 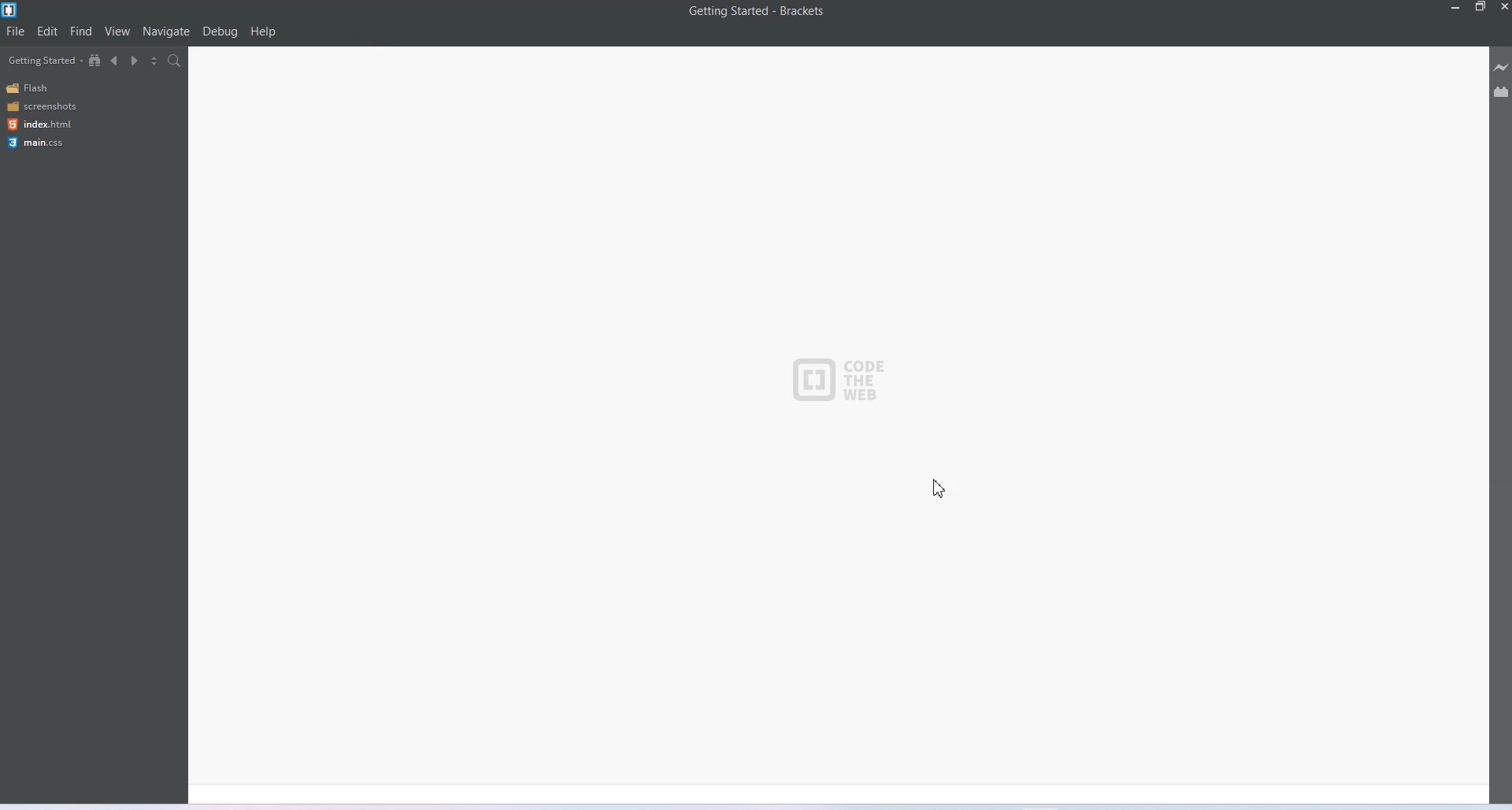 I want to click on Getting Started - Brackets, so click(x=756, y=12).